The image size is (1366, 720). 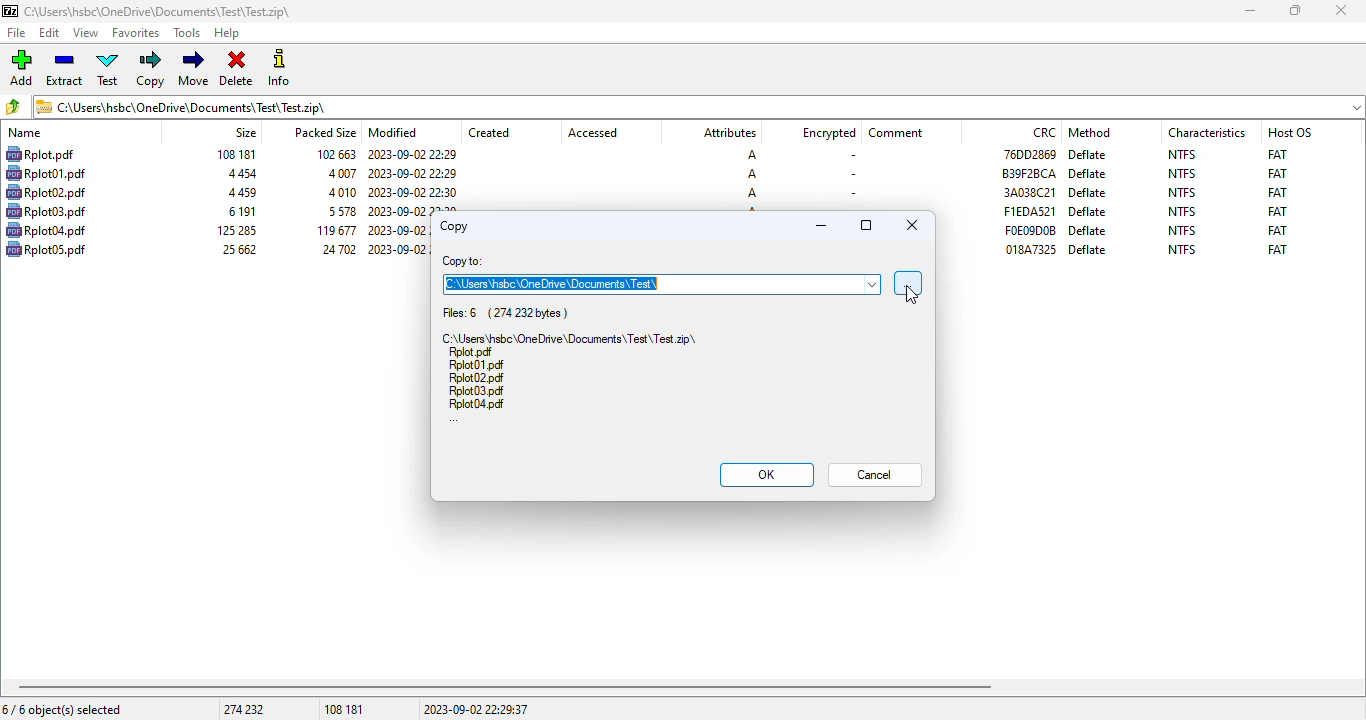 I want to click on info, so click(x=279, y=67).